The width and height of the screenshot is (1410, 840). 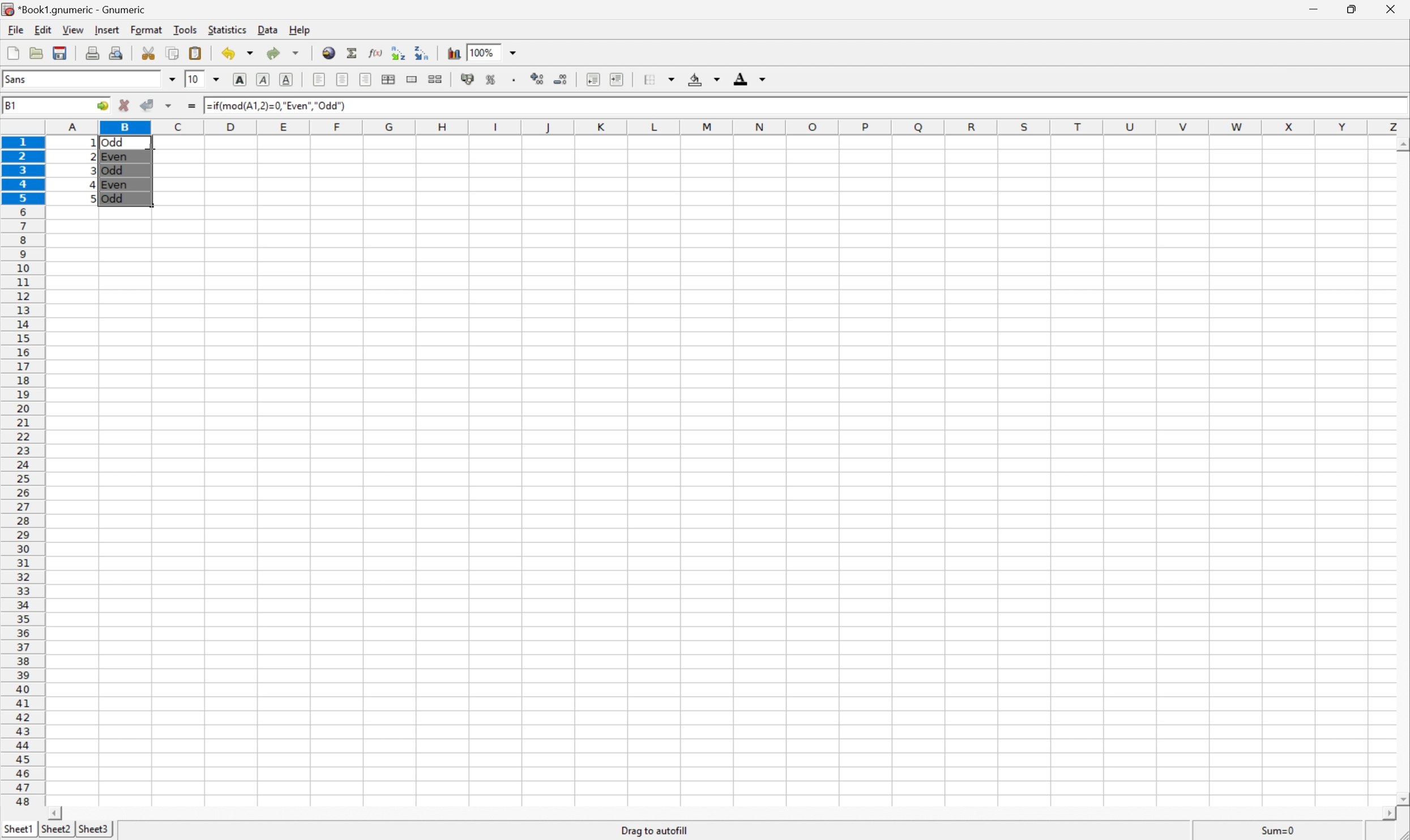 I want to click on Background, so click(x=704, y=78).